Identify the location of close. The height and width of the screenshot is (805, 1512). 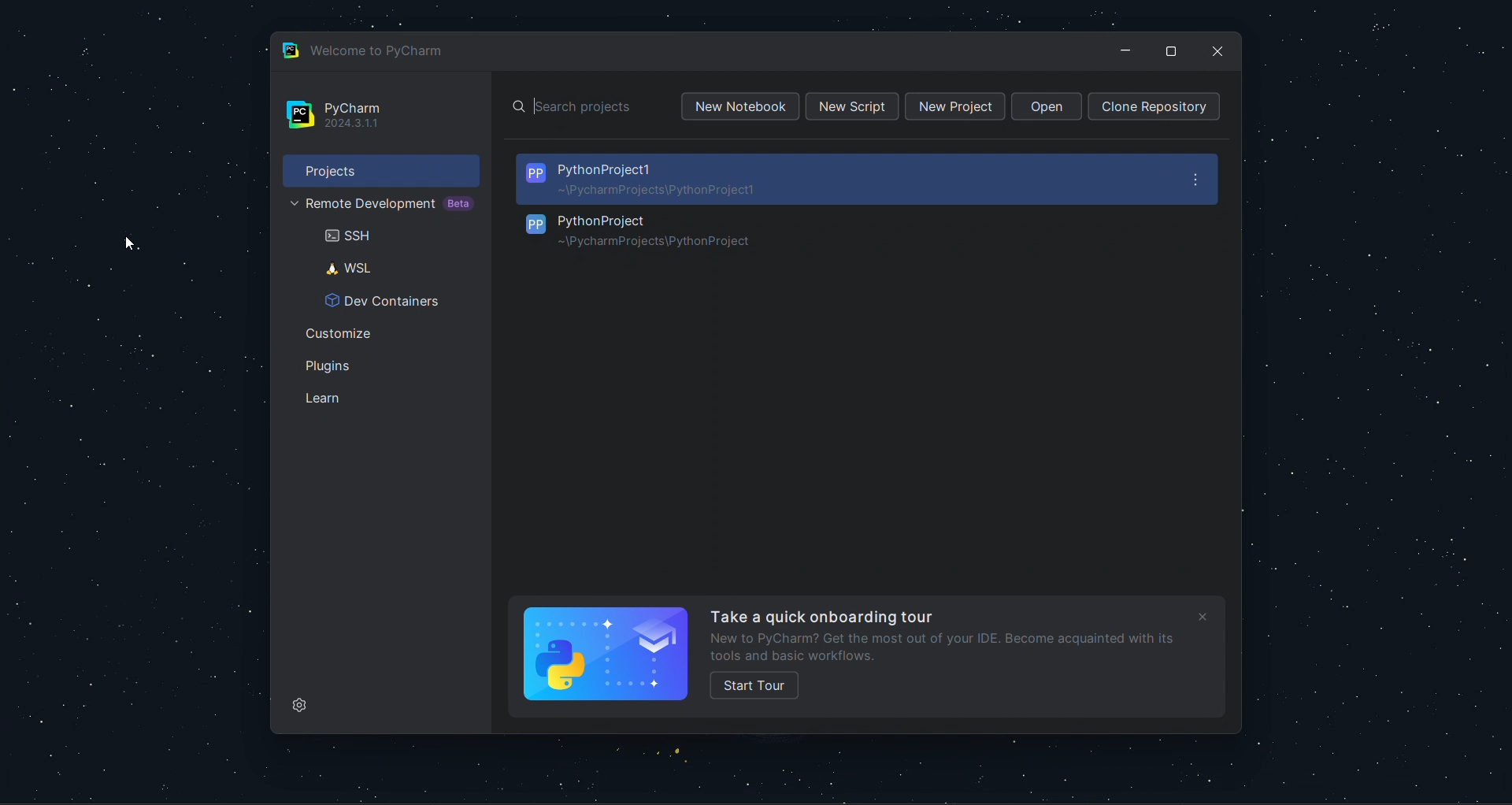
(1201, 614).